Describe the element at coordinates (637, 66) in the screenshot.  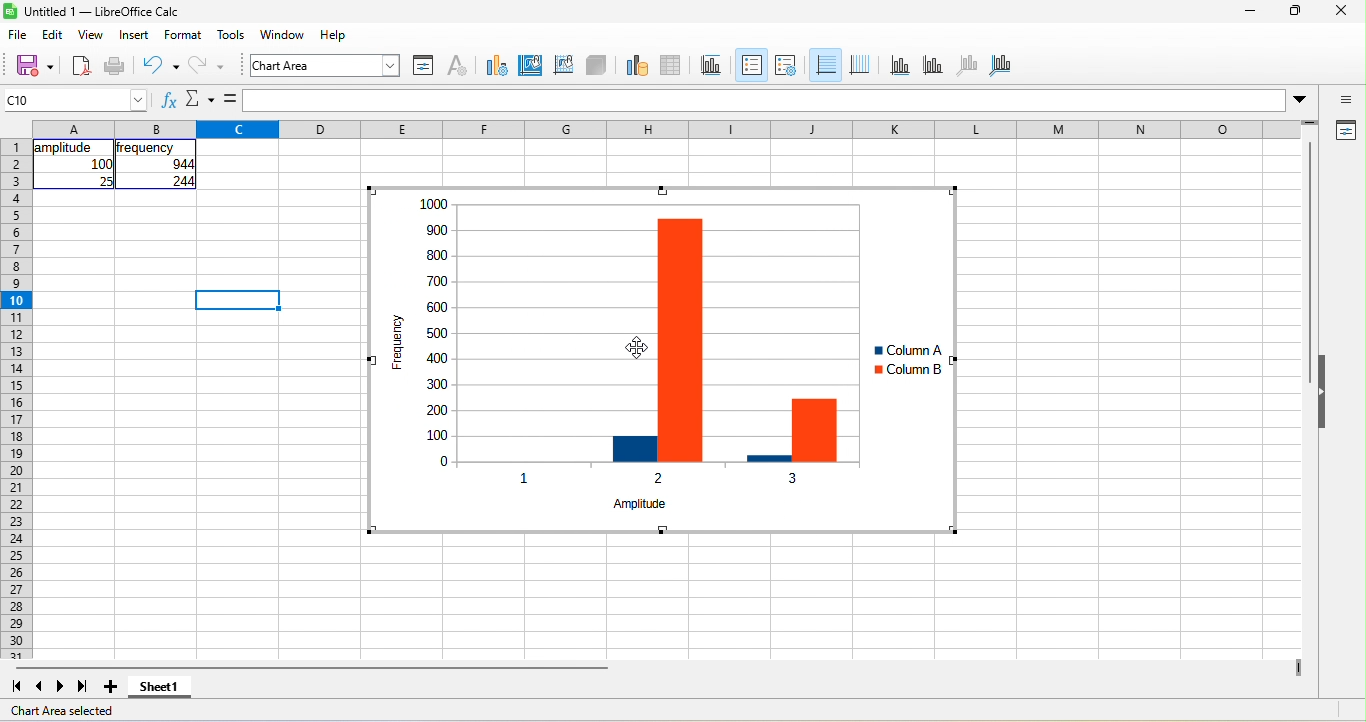
I see `data range` at that location.